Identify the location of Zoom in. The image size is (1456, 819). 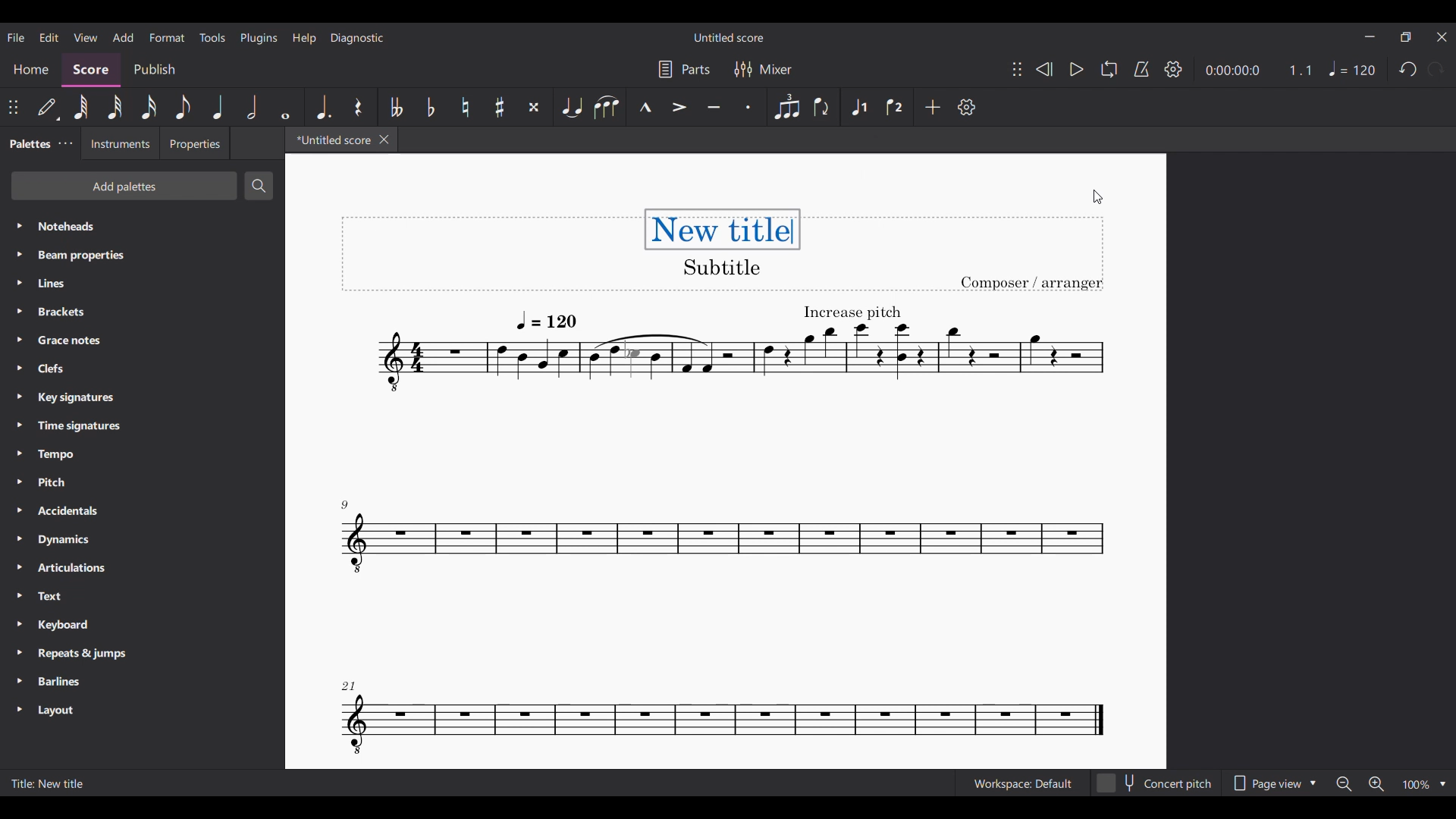
(1376, 784).